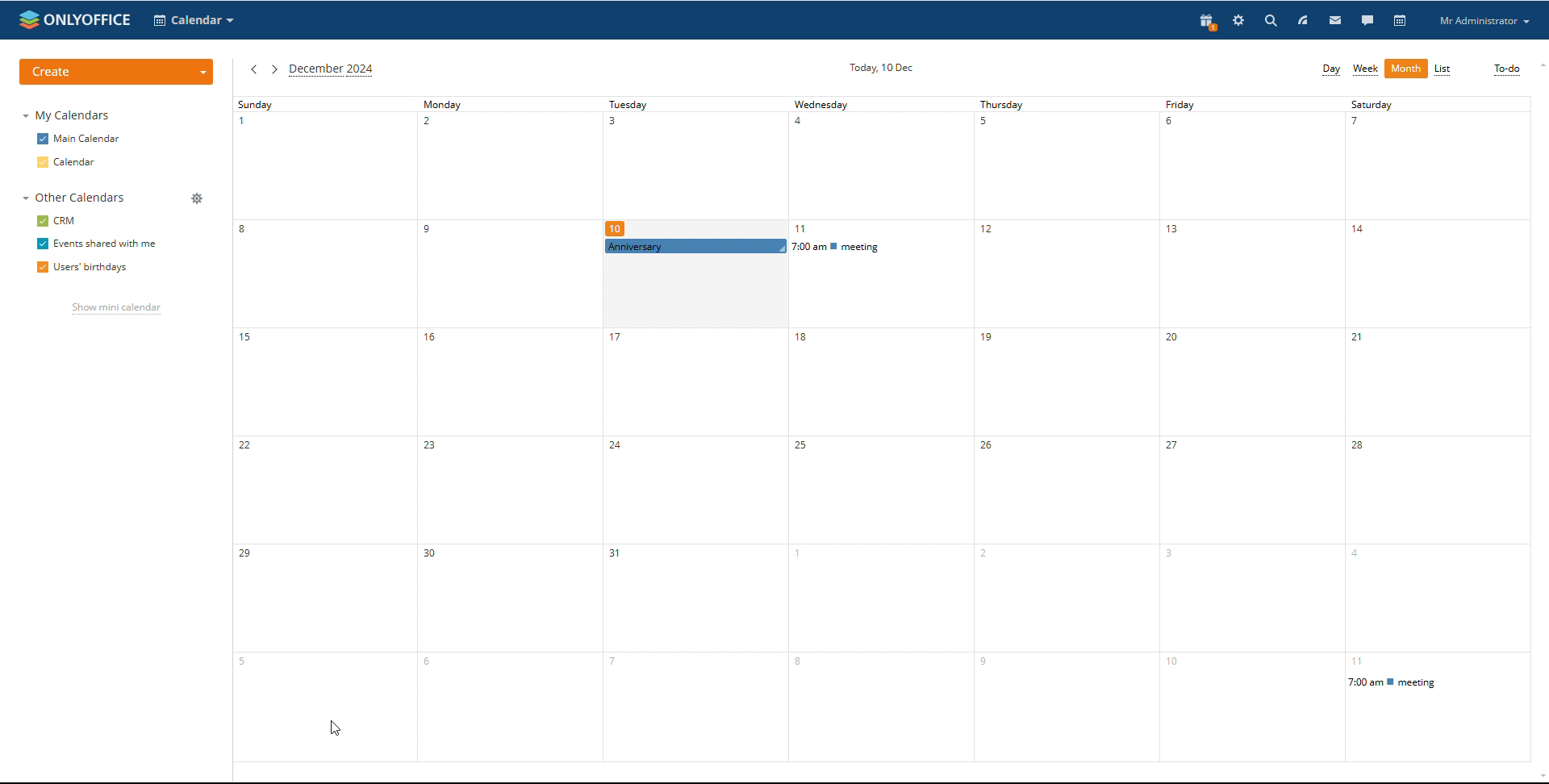 Image resolution: width=1549 pixels, height=784 pixels. Describe the element at coordinates (1303, 20) in the screenshot. I see `feed` at that location.